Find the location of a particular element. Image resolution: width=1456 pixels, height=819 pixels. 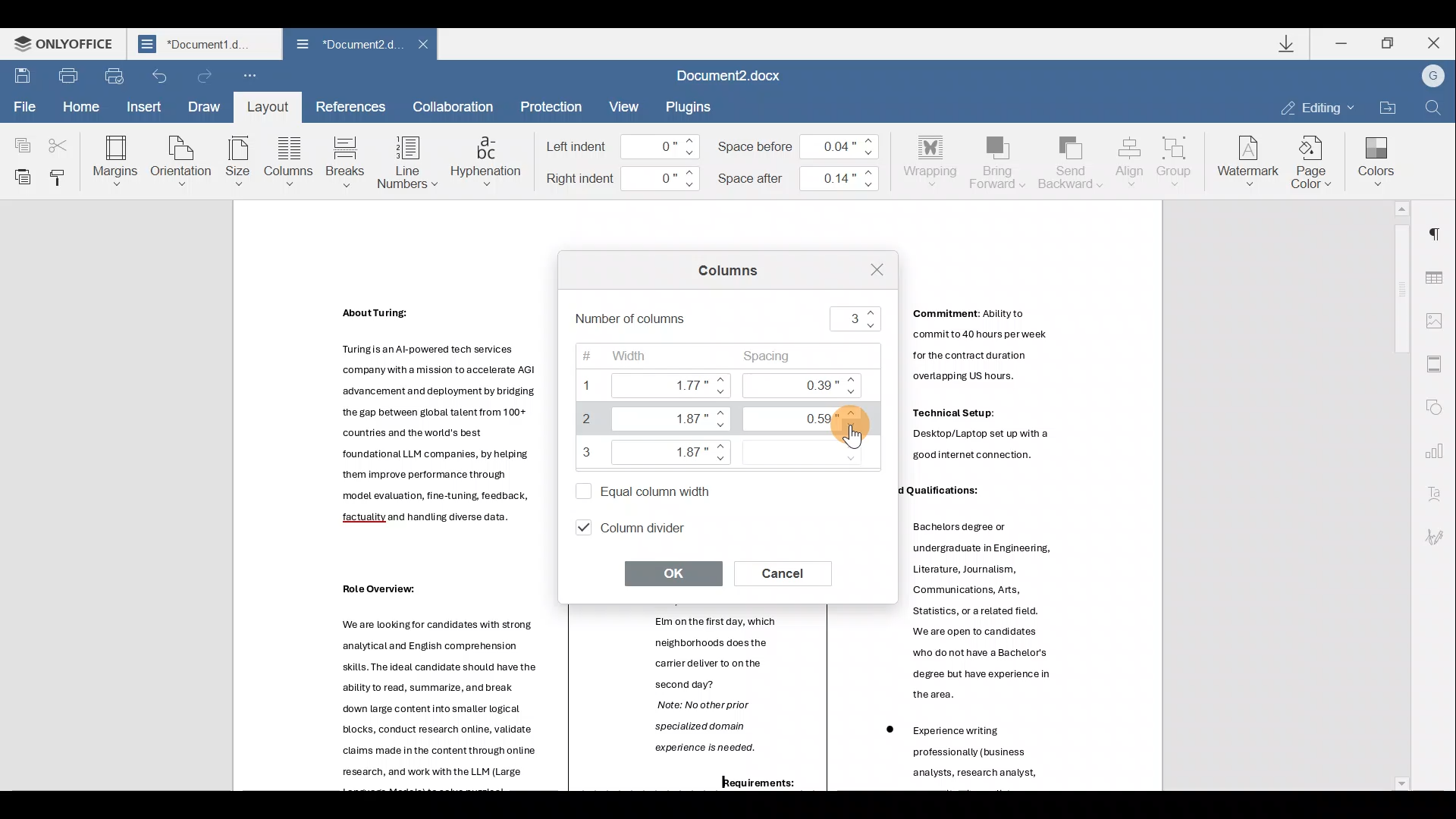

Undo is located at coordinates (159, 76).